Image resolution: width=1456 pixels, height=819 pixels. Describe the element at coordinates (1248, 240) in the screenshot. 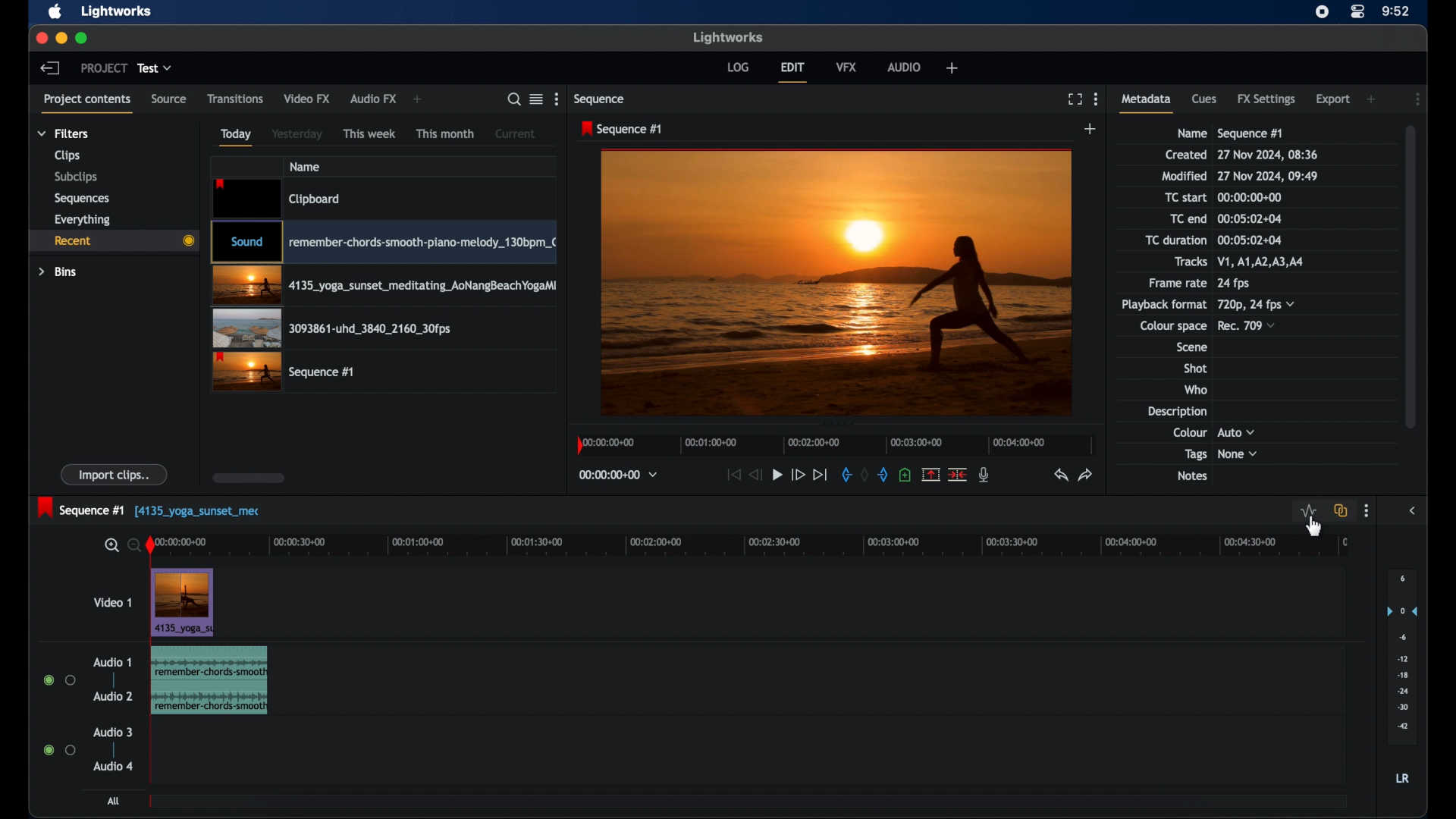

I see `tc duration` at that location.